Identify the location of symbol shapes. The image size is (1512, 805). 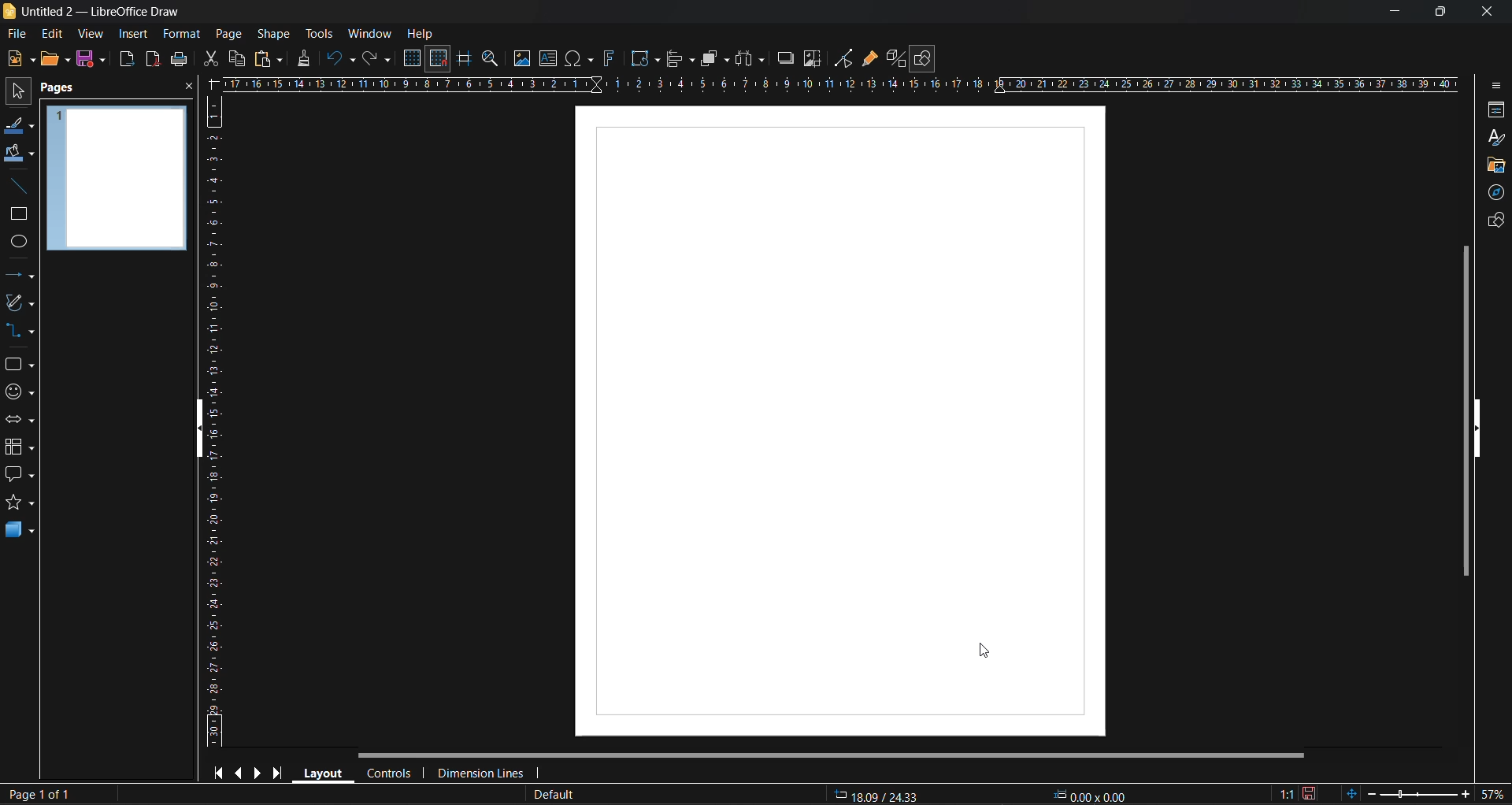
(22, 394).